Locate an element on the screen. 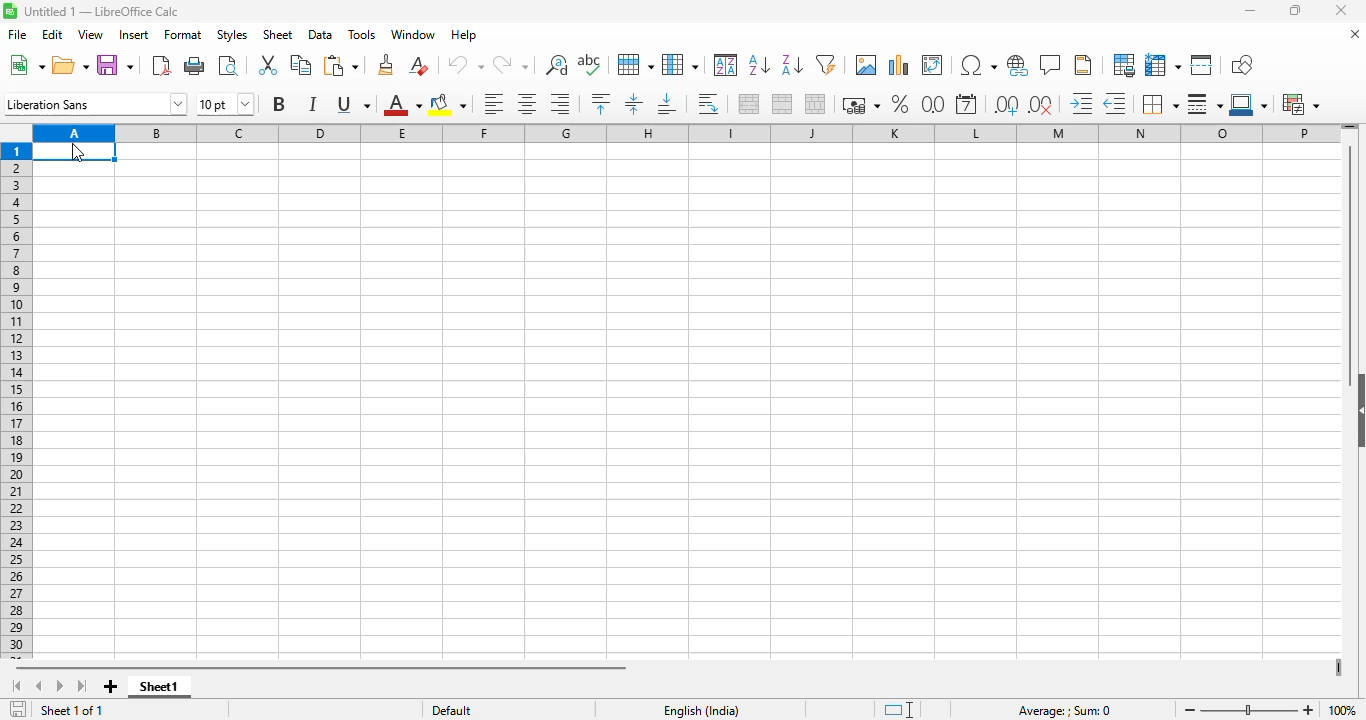 The image size is (1366, 720). format as currency is located at coordinates (860, 105).